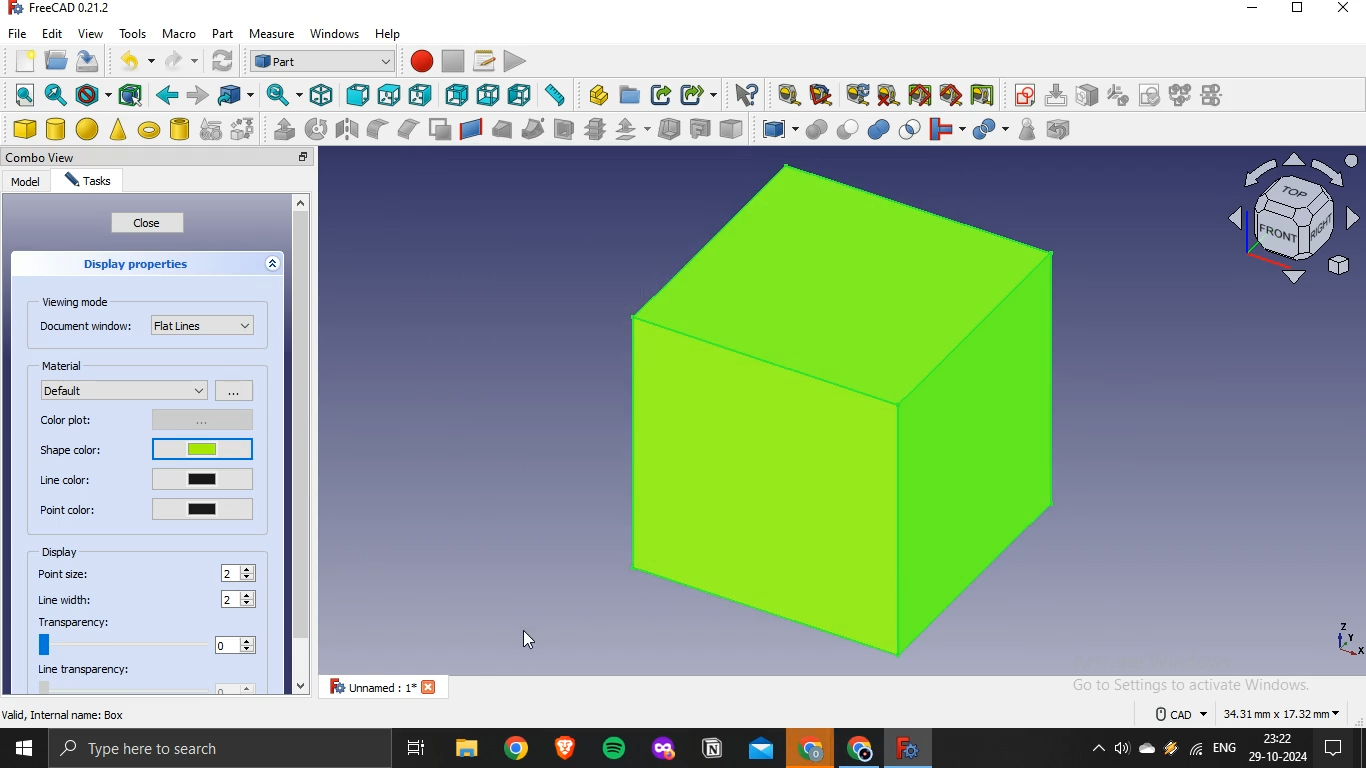 Image resolution: width=1366 pixels, height=768 pixels. What do you see at coordinates (439, 129) in the screenshot?
I see `make face from wires` at bounding box center [439, 129].